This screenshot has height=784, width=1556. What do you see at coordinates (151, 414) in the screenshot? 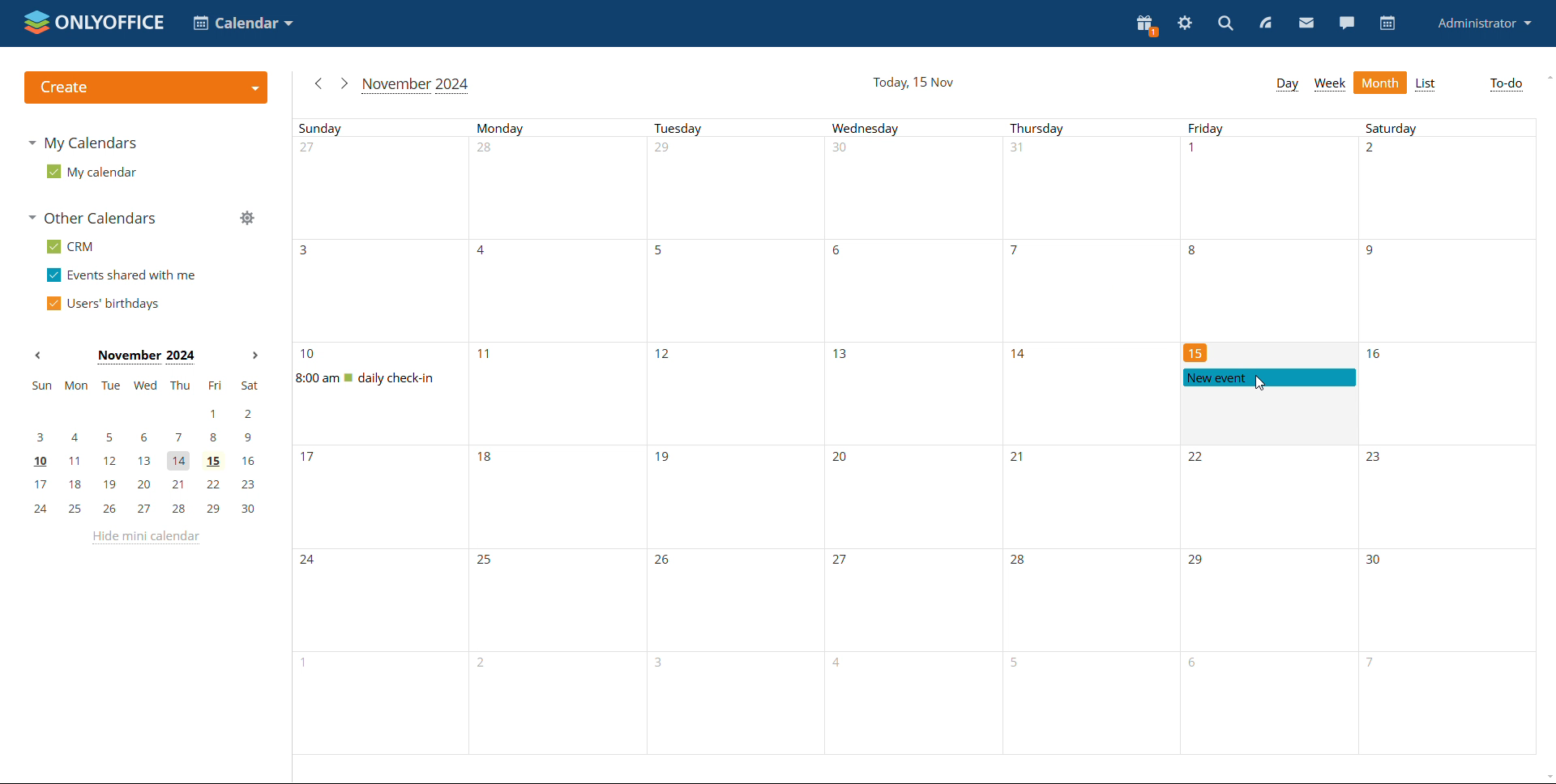
I see `1, 2` at bounding box center [151, 414].